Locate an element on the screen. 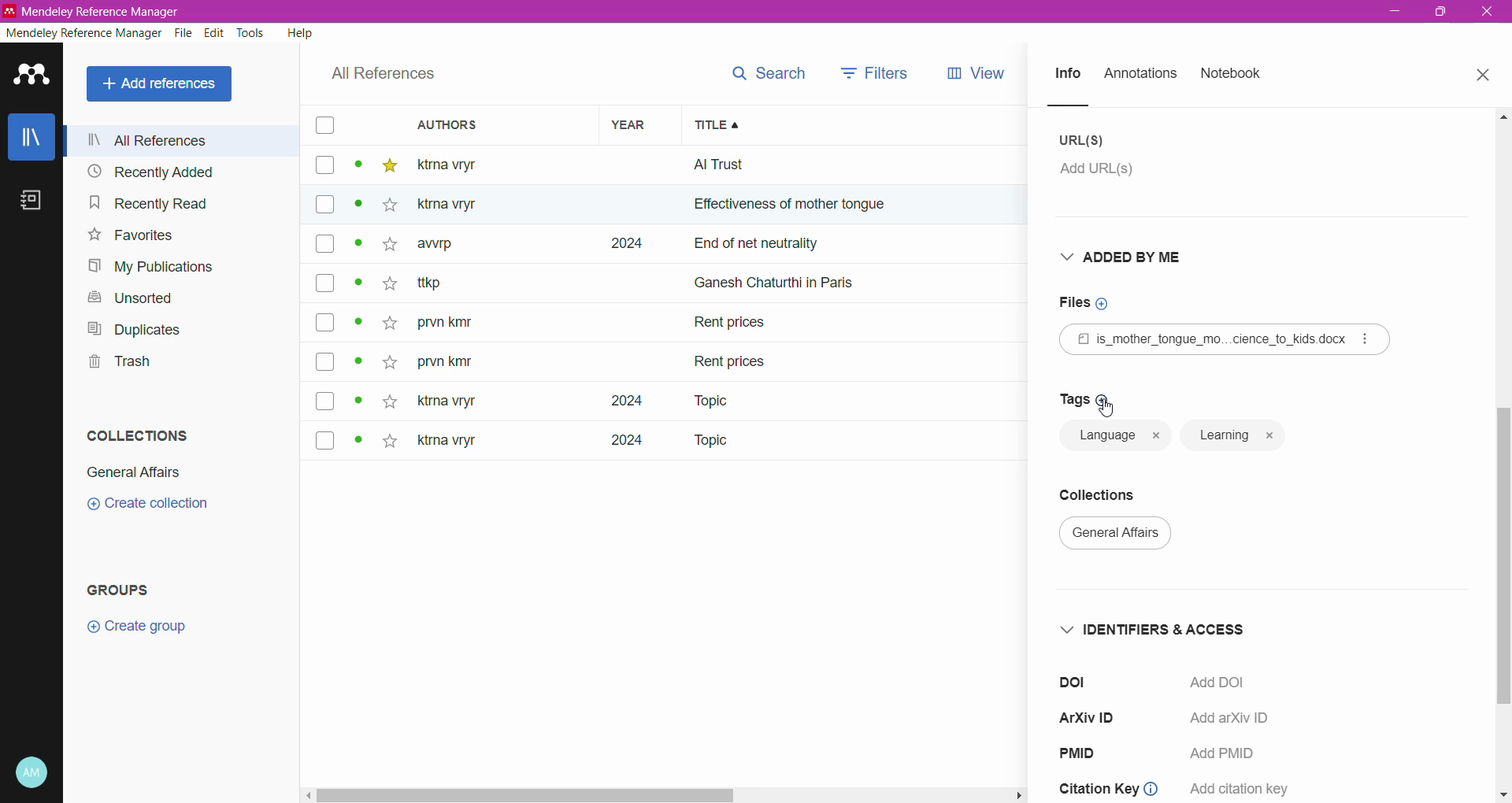 Image resolution: width=1512 pixels, height=803 pixels. ganesh chaturthi in paris  is located at coordinates (792, 276).